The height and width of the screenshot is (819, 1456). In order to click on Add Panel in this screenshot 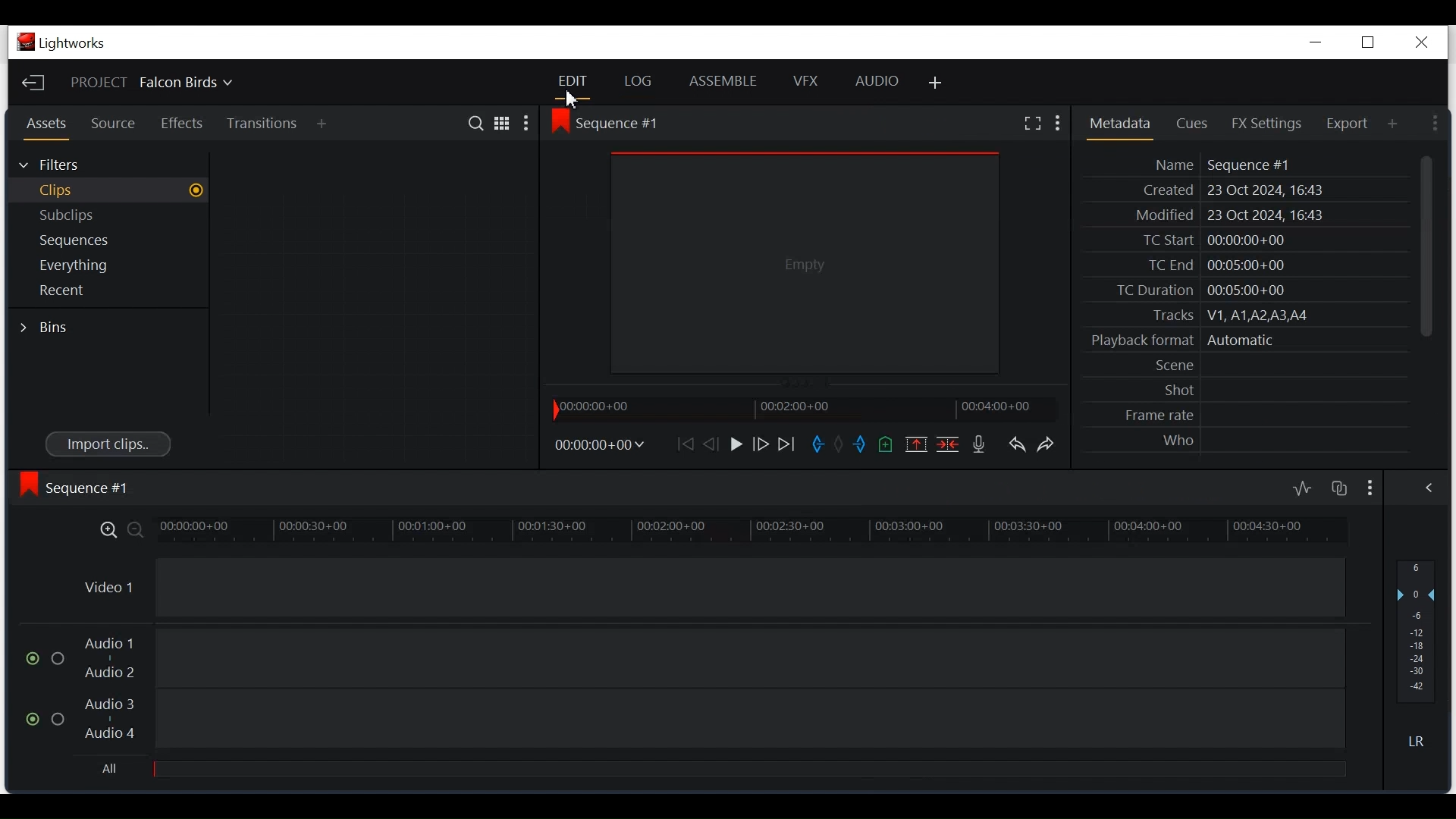, I will do `click(322, 123)`.